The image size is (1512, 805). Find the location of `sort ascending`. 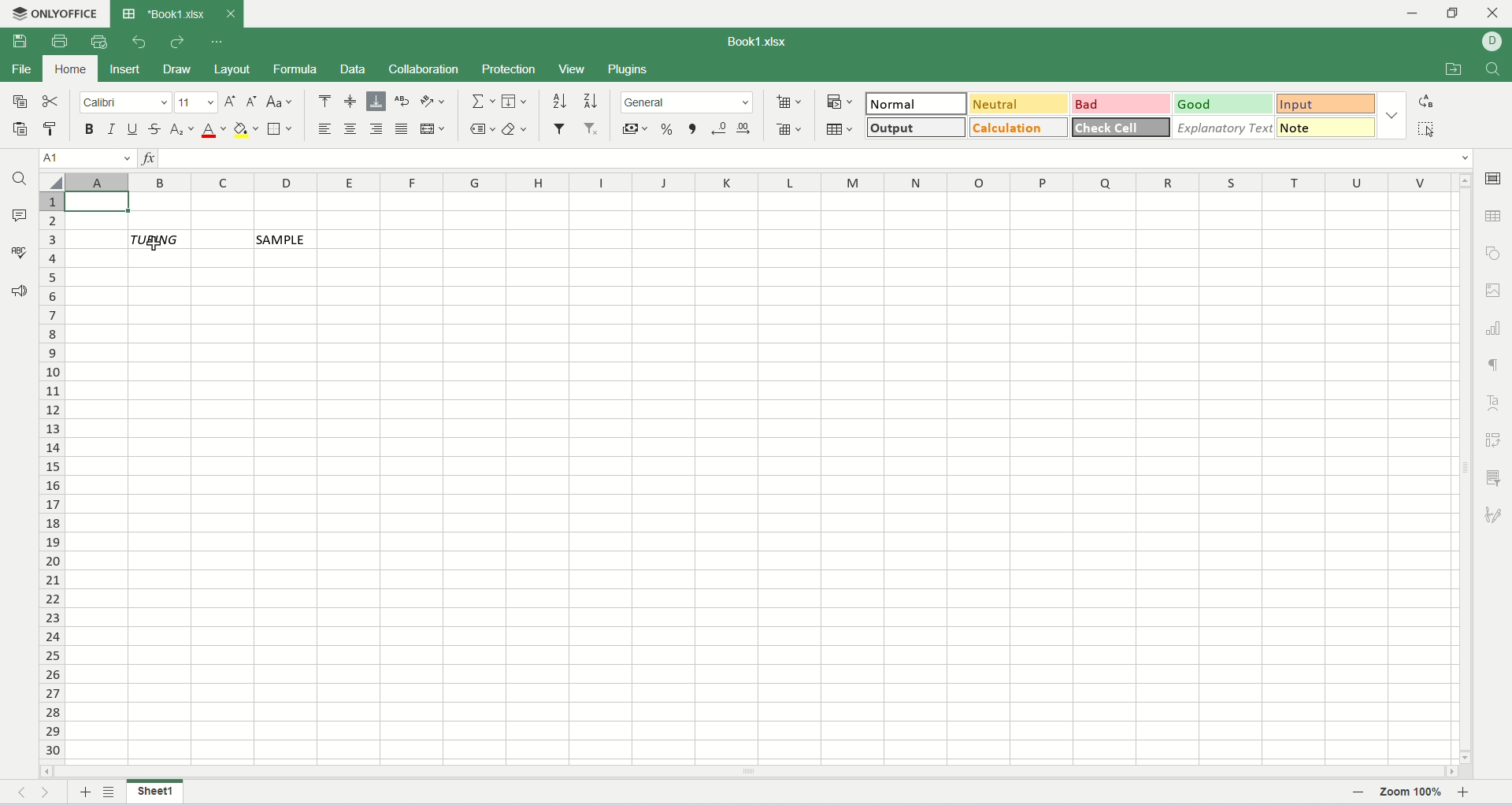

sort ascending is located at coordinates (560, 102).